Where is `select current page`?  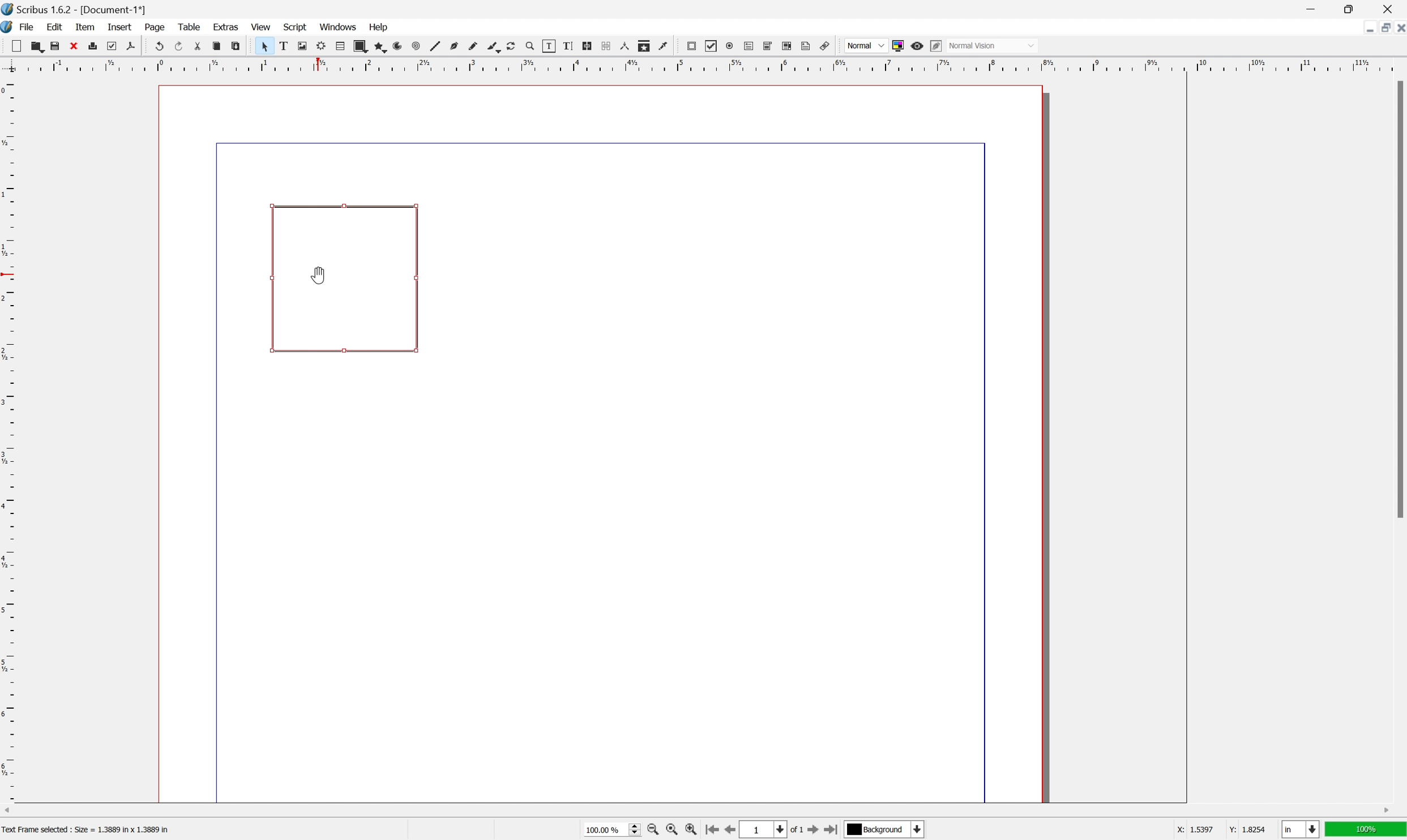 select current page is located at coordinates (774, 830).